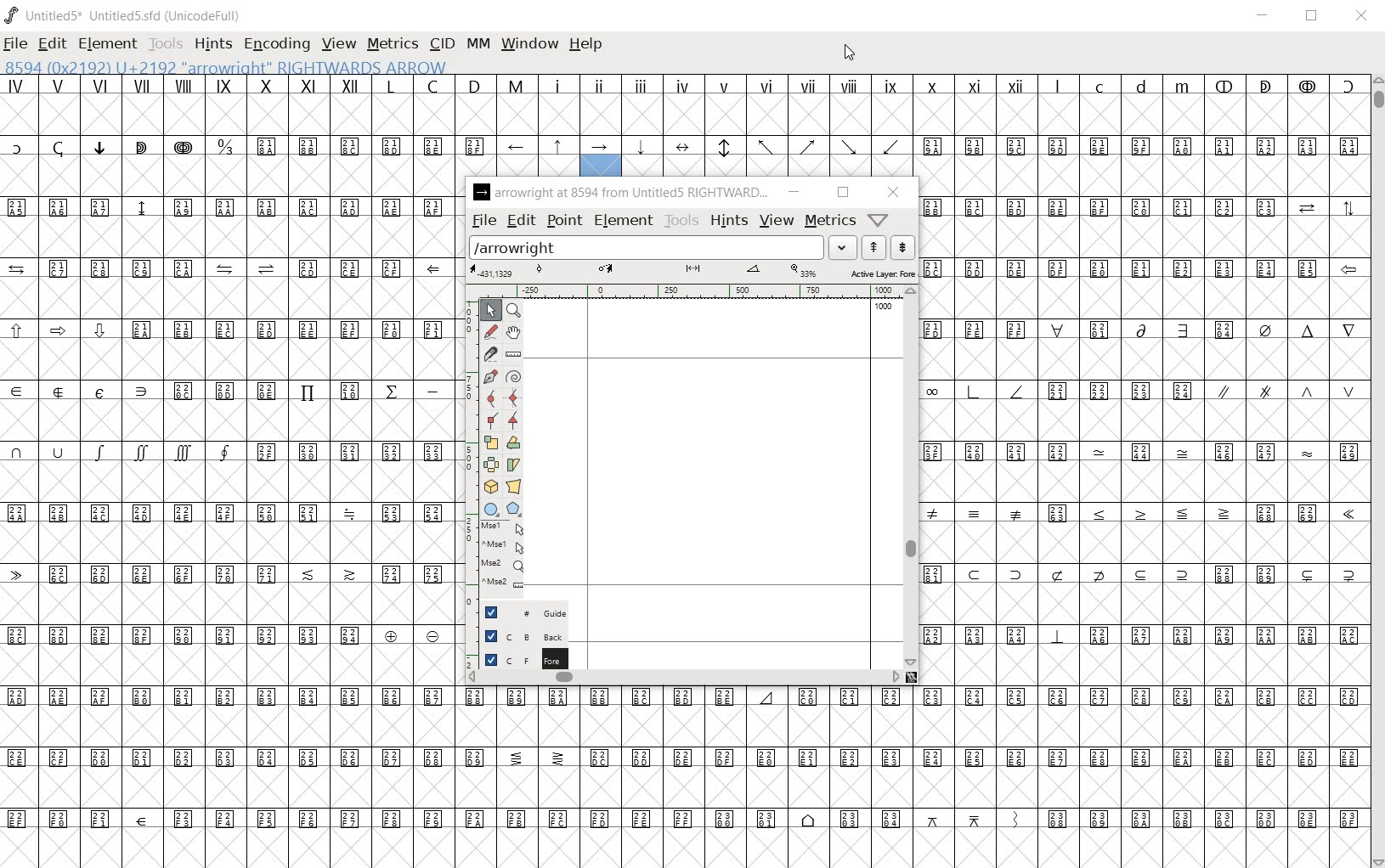 The image size is (1385, 868). What do you see at coordinates (1312, 16) in the screenshot?
I see `RESTORE DOWN` at bounding box center [1312, 16].